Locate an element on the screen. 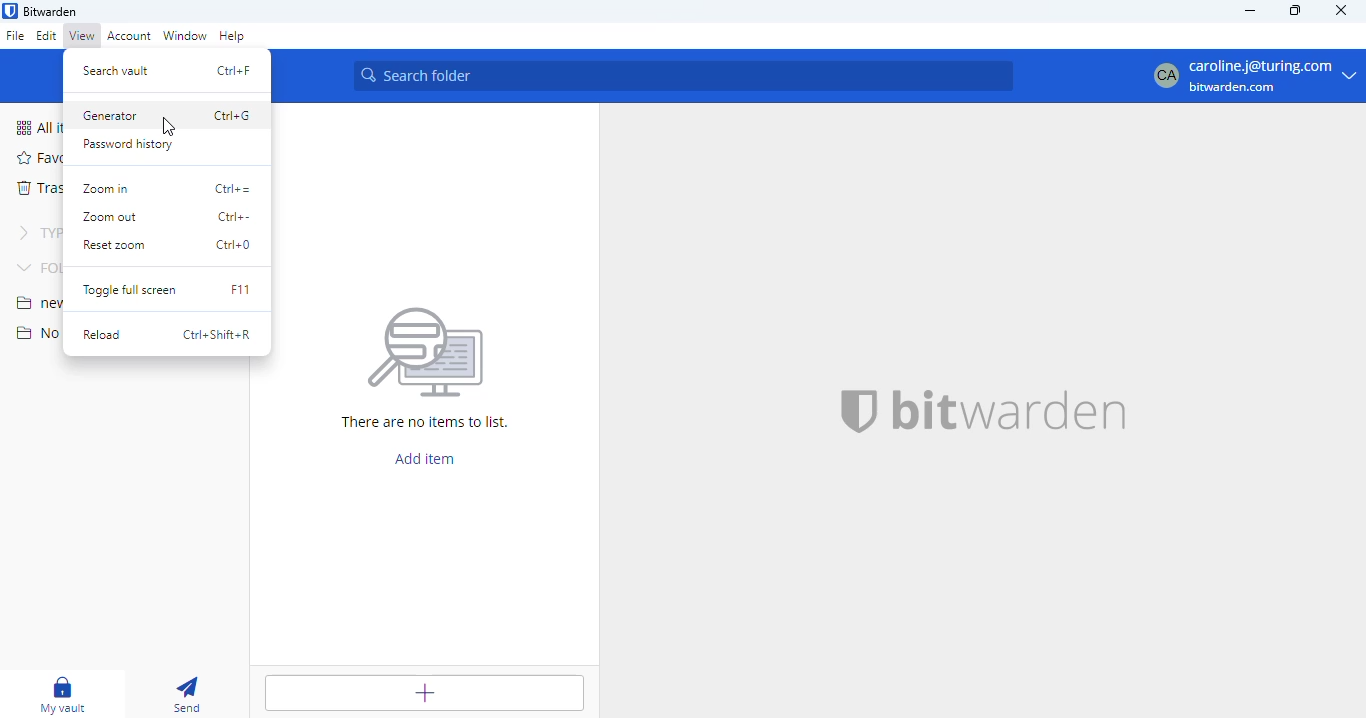 The image size is (1366, 718). reload is located at coordinates (104, 336).